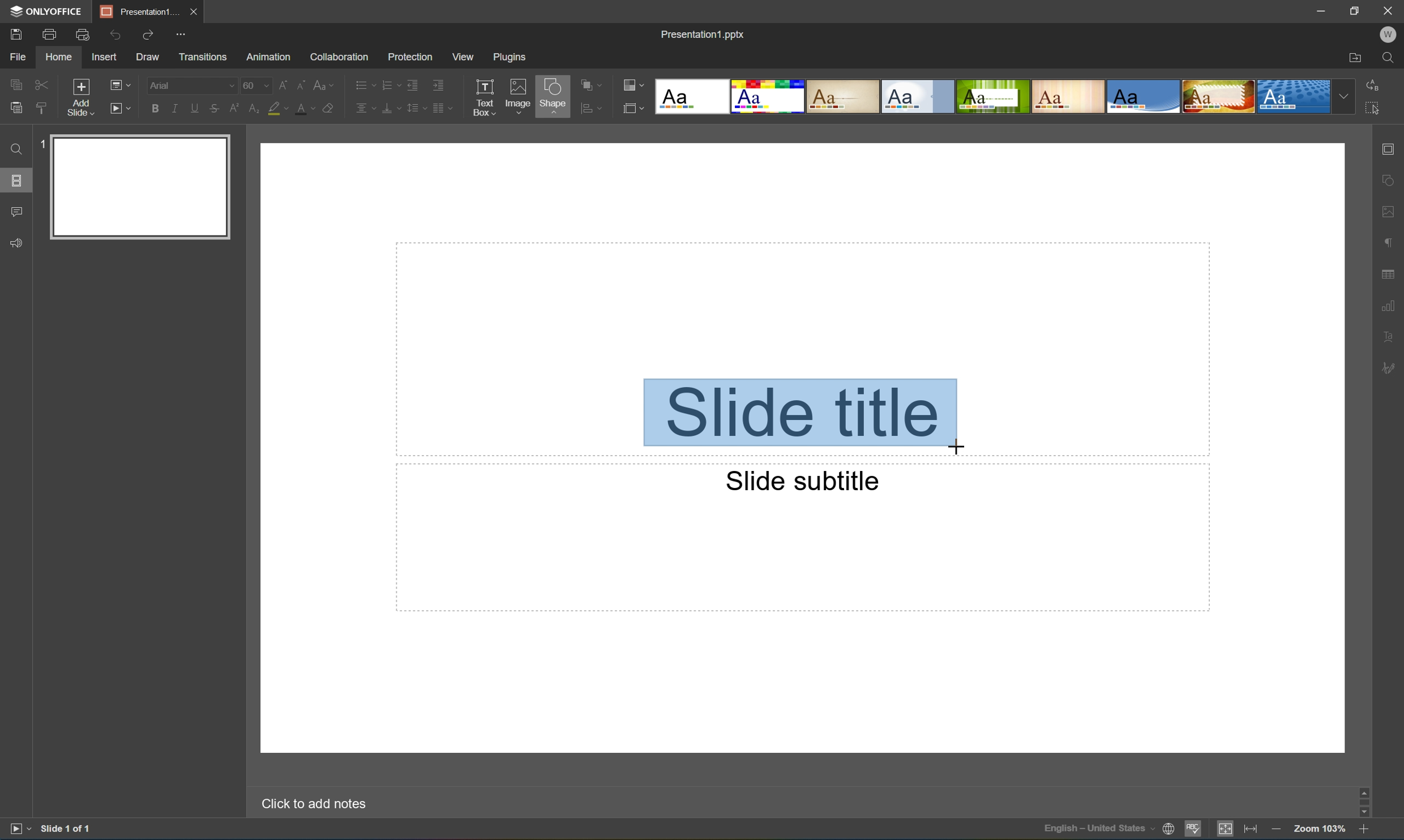 The image size is (1404, 840). Describe the element at coordinates (17, 82) in the screenshot. I see `Copy` at that location.